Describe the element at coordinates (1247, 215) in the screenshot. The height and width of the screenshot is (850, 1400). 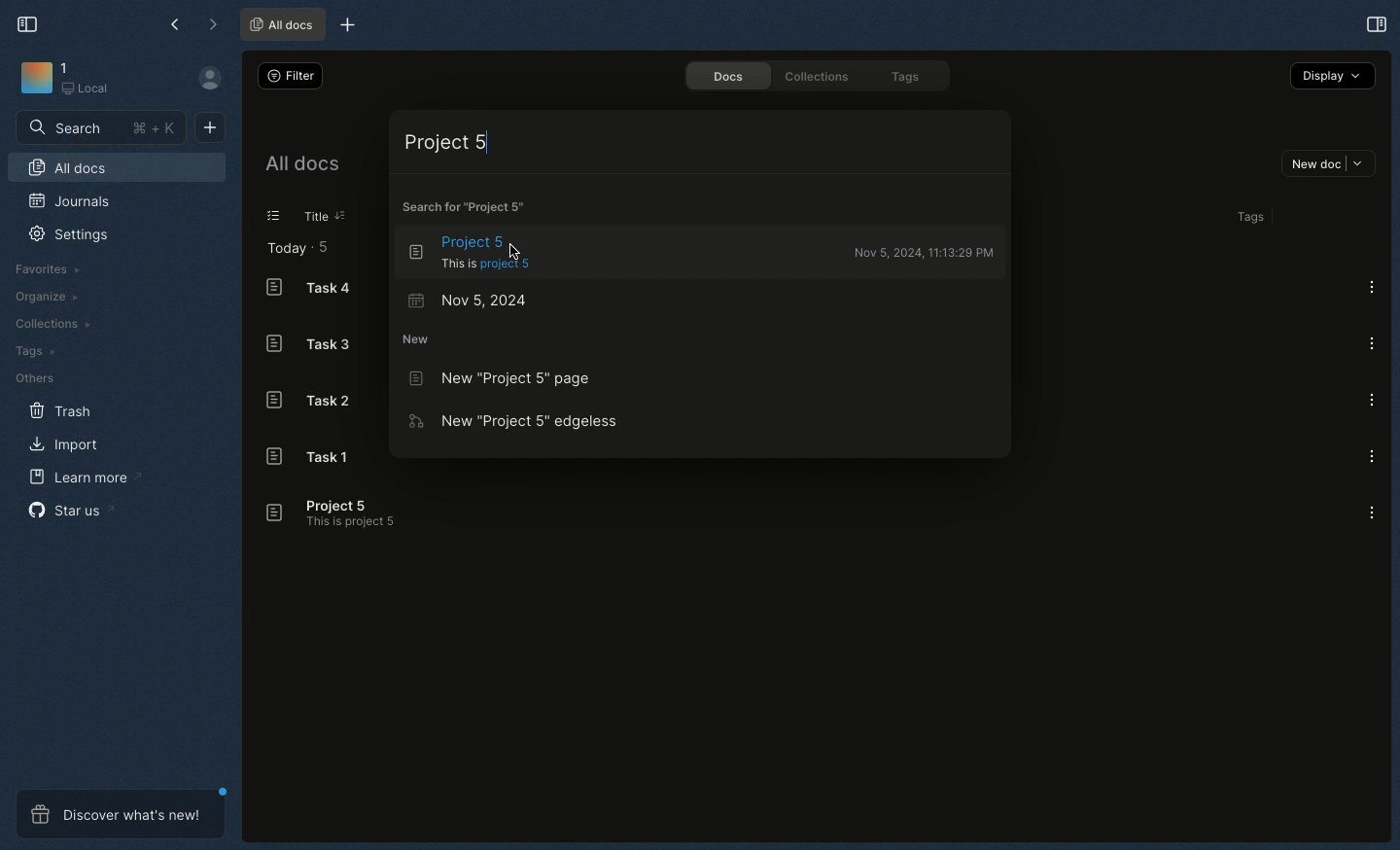
I see `Tags` at that location.